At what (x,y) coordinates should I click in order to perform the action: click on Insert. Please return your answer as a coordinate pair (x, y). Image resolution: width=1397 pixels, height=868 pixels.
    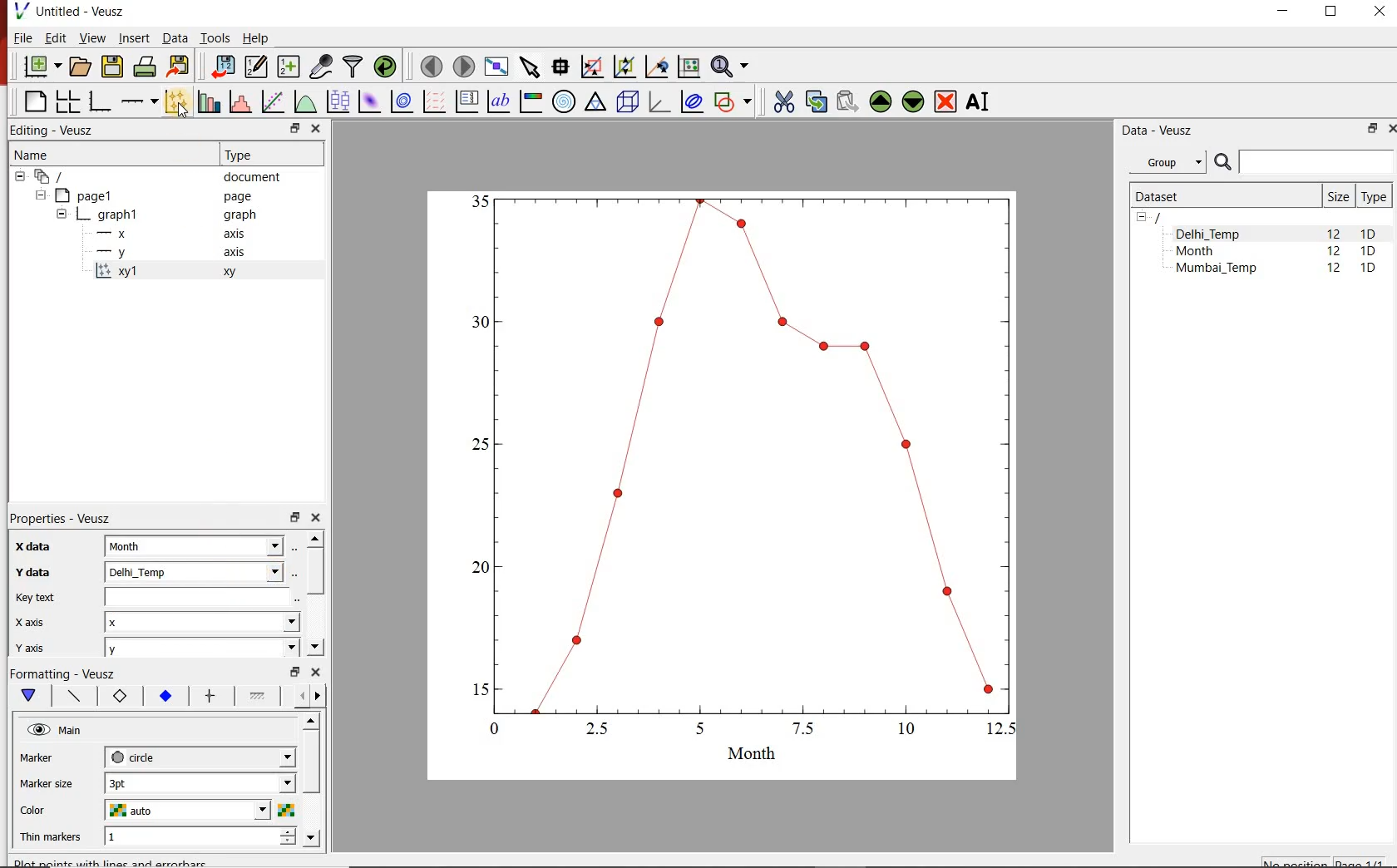
    Looking at the image, I should click on (133, 37).